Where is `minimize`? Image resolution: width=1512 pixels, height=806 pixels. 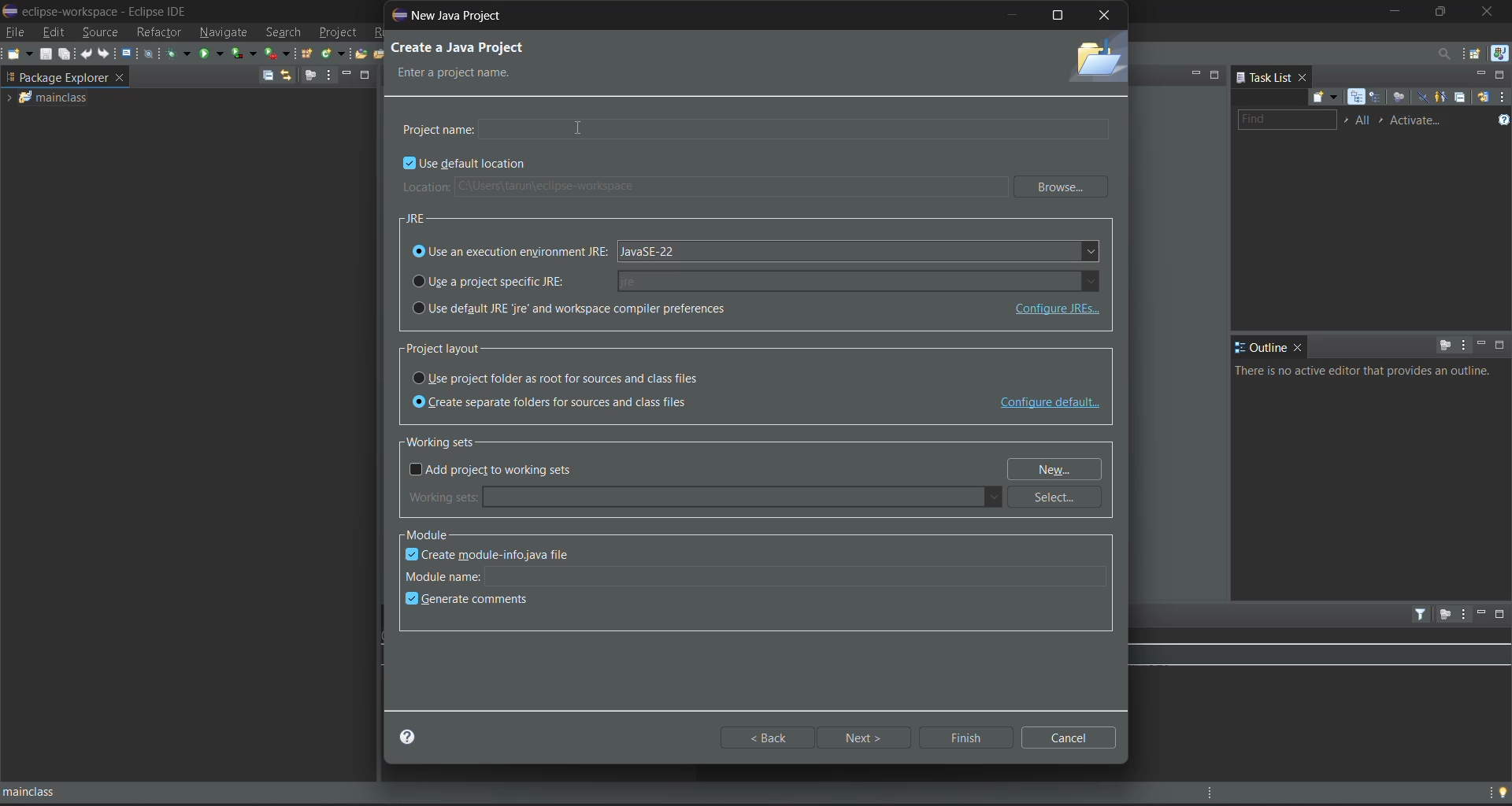 minimize is located at coordinates (1195, 73).